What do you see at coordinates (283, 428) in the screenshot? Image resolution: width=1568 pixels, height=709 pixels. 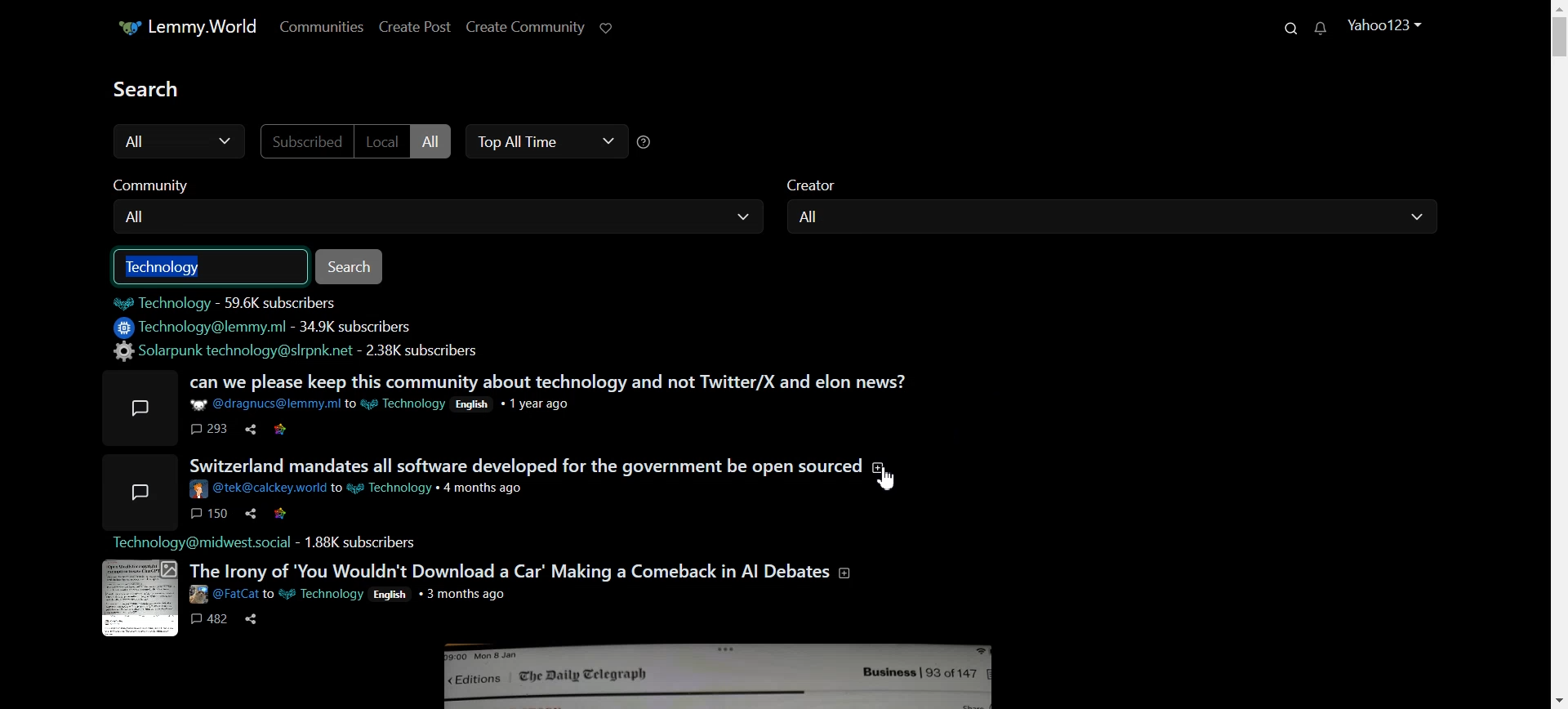 I see `Link` at bounding box center [283, 428].